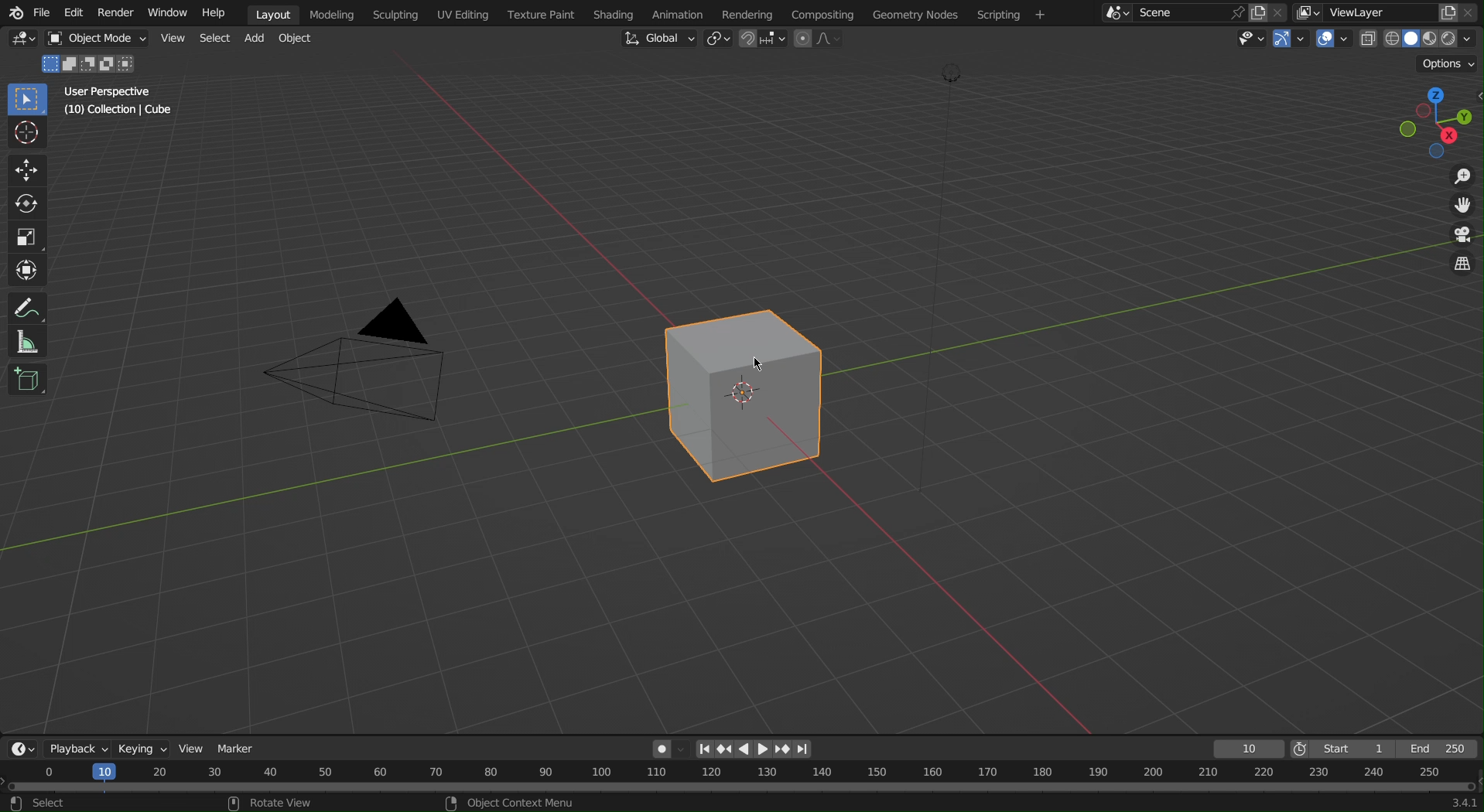  Describe the element at coordinates (740, 788) in the screenshot. I see `Timeline` at that location.